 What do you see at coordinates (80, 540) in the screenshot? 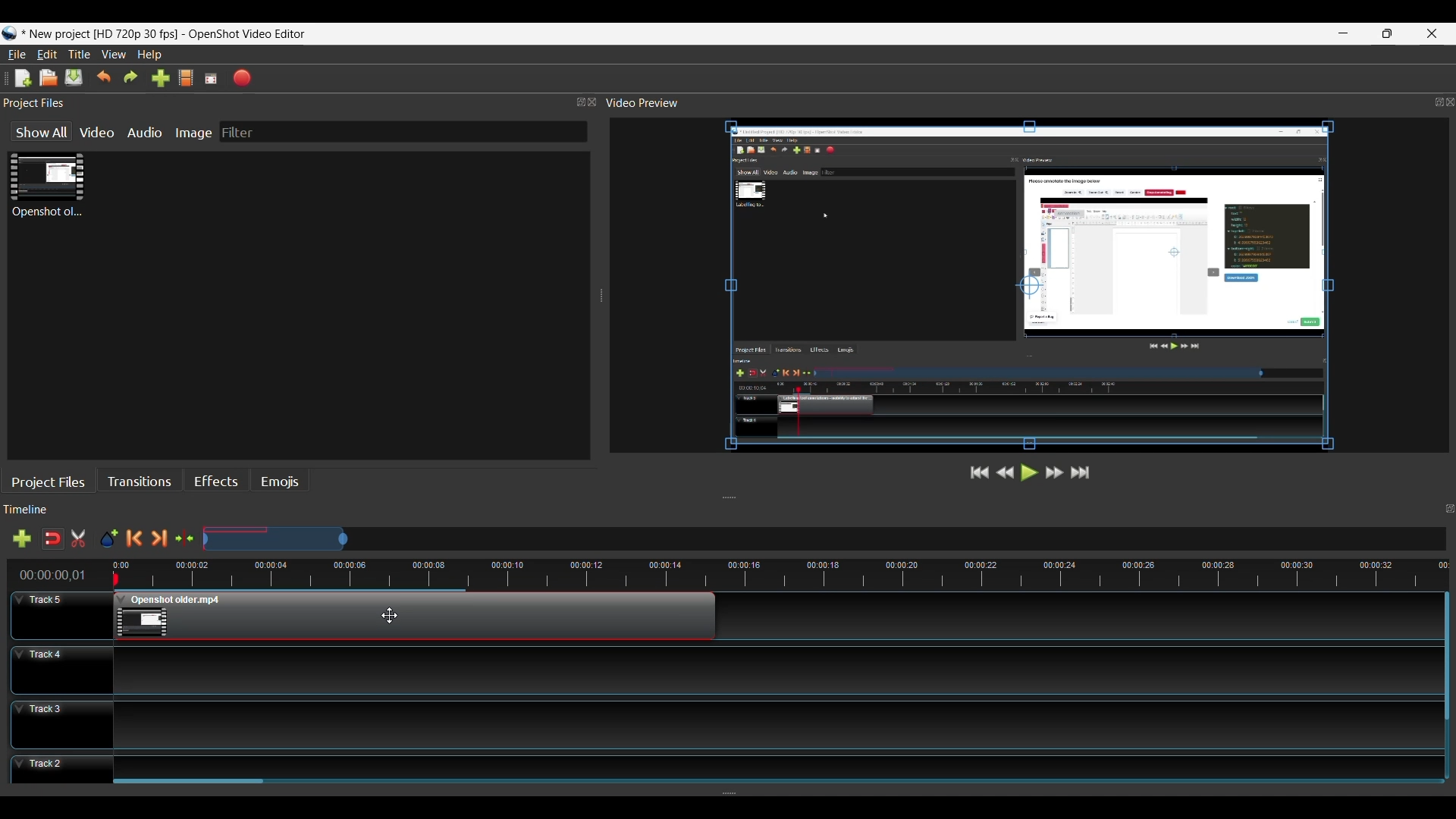
I see `Razor` at bounding box center [80, 540].